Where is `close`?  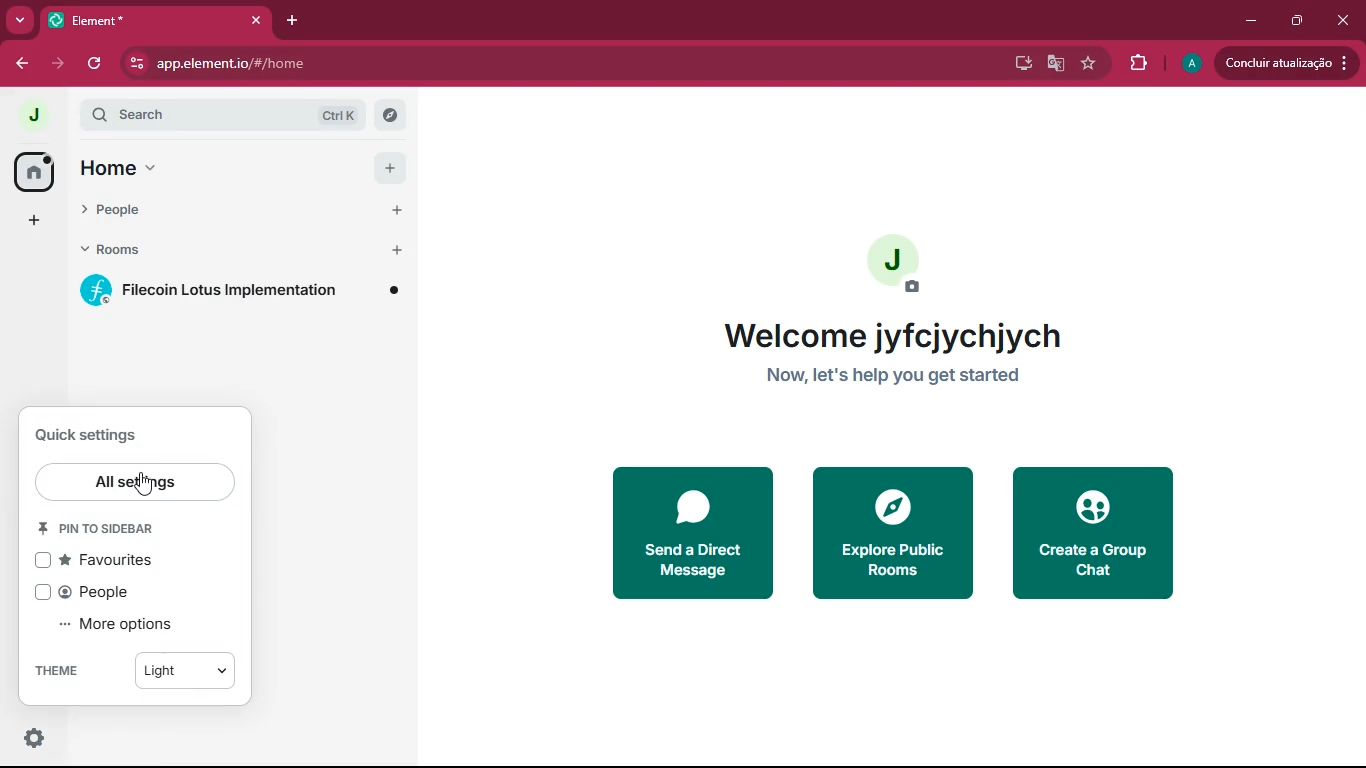
close is located at coordinates (1345, 23).